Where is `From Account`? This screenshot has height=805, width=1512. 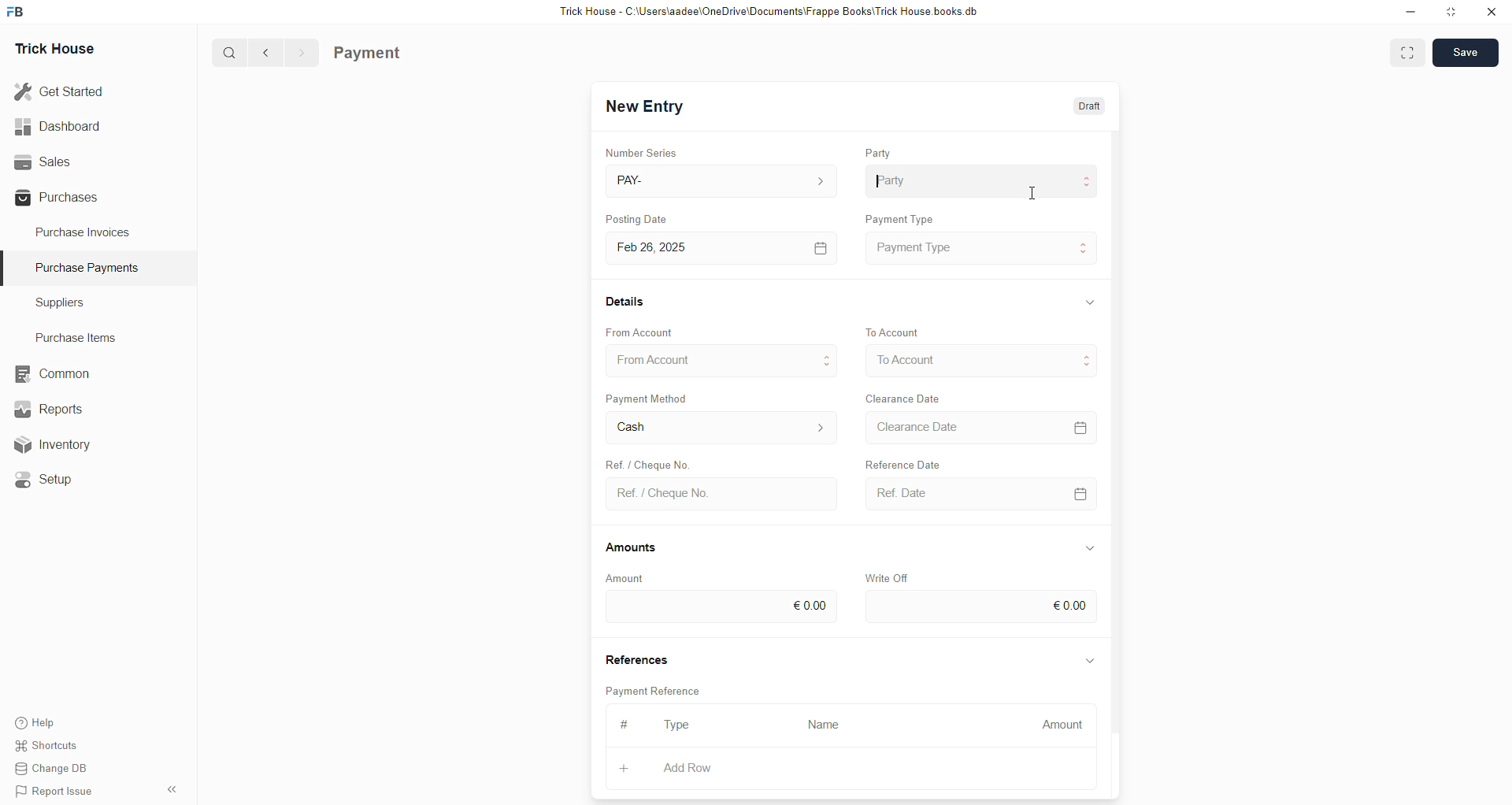 From Account is located at coordinates (723, 360).